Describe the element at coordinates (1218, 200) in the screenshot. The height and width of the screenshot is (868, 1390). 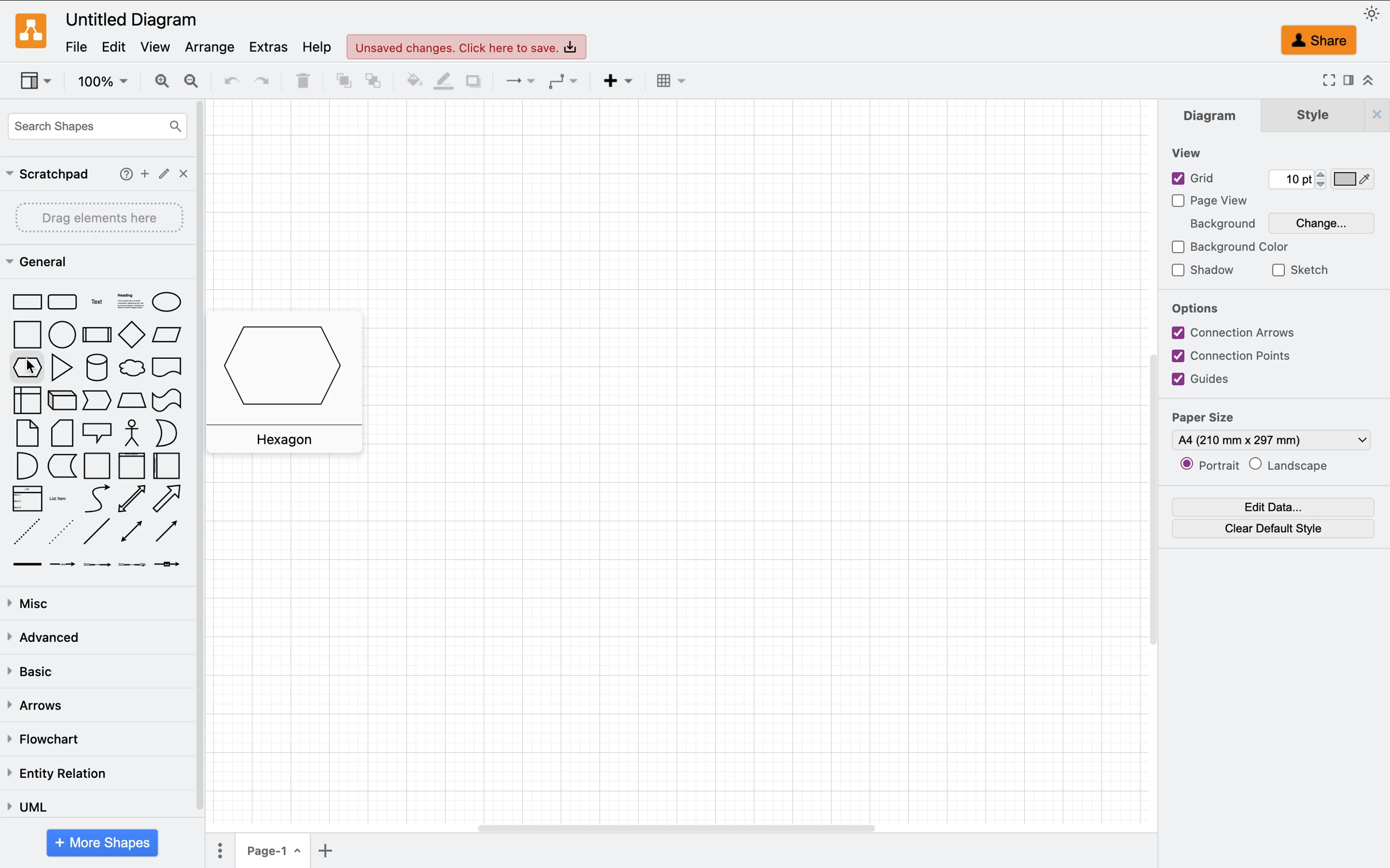
I see `page view` at that location.